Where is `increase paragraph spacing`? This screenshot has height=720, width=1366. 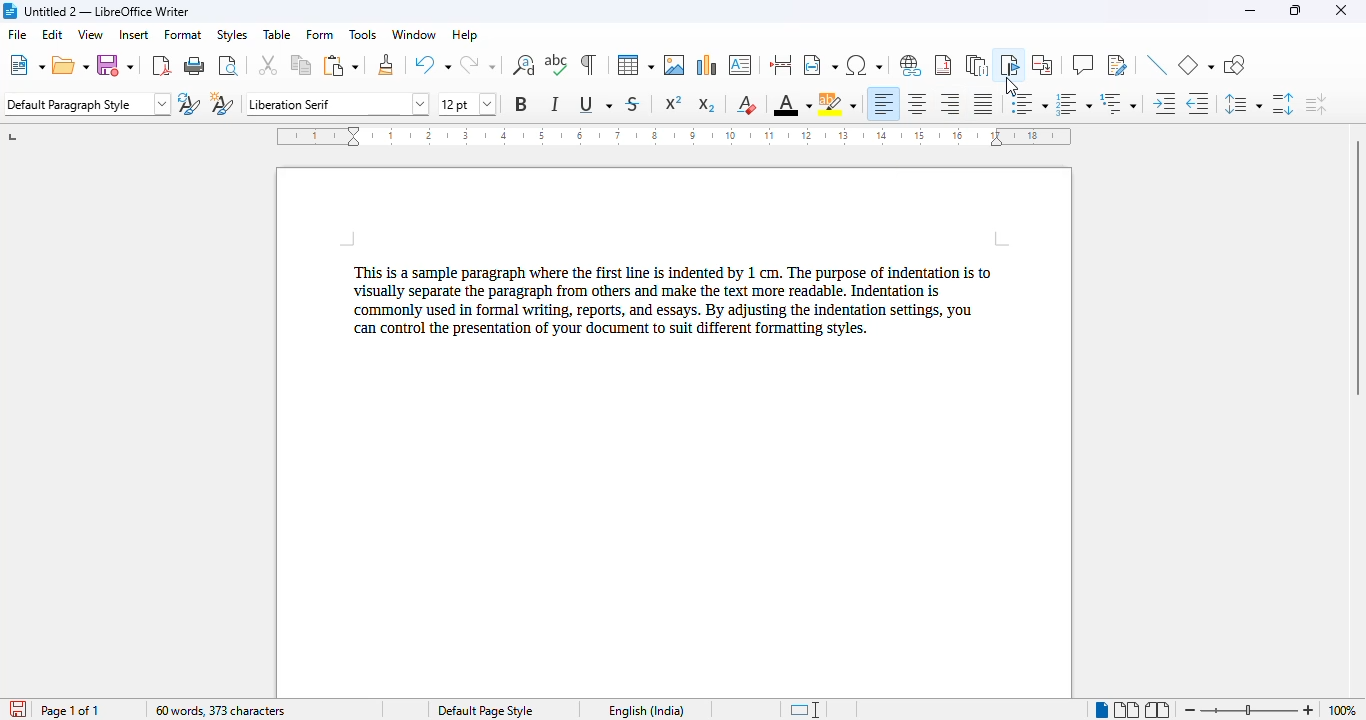
increase paragraph spacing is located at coordinates (1283, 104).